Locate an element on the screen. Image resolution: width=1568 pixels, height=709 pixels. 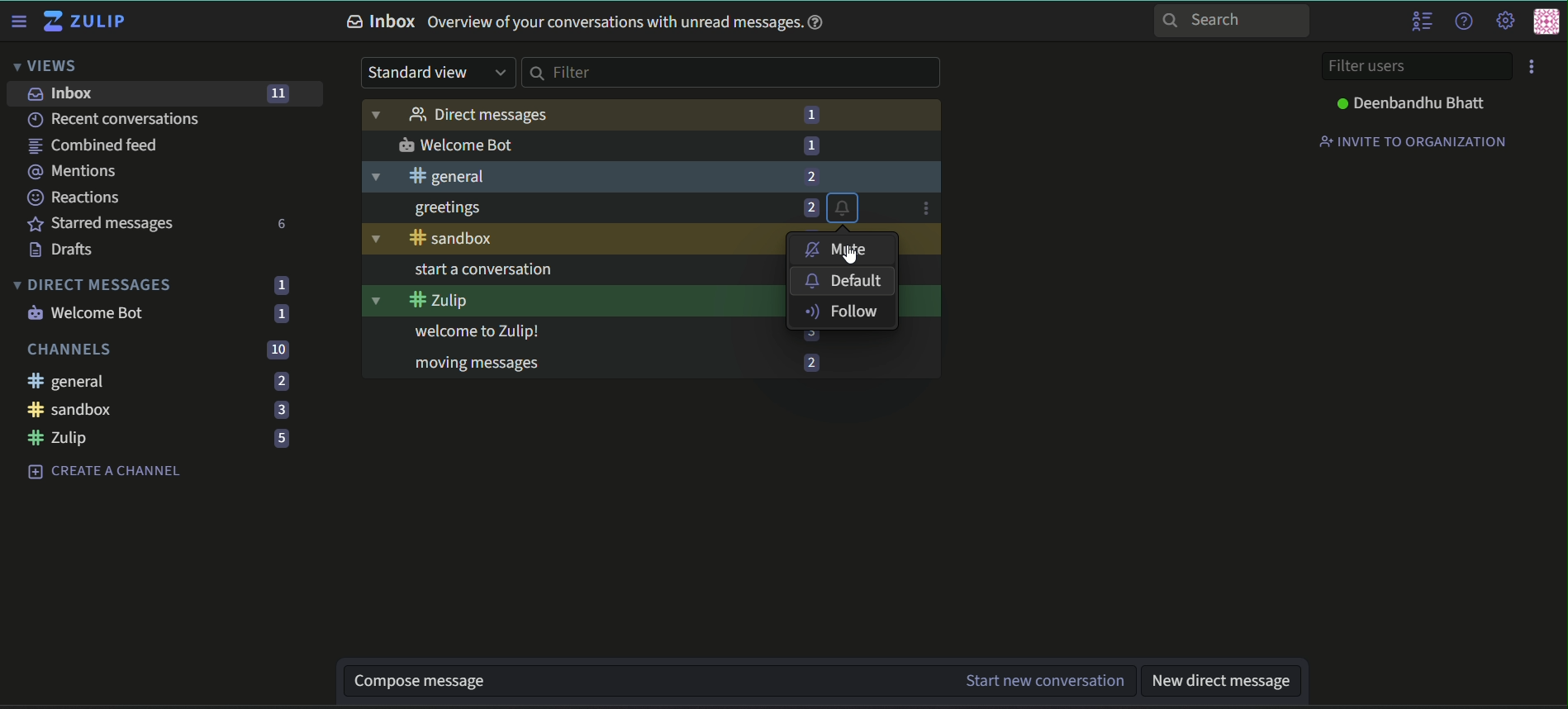
Search bar is located at coordinates (1232, 21).